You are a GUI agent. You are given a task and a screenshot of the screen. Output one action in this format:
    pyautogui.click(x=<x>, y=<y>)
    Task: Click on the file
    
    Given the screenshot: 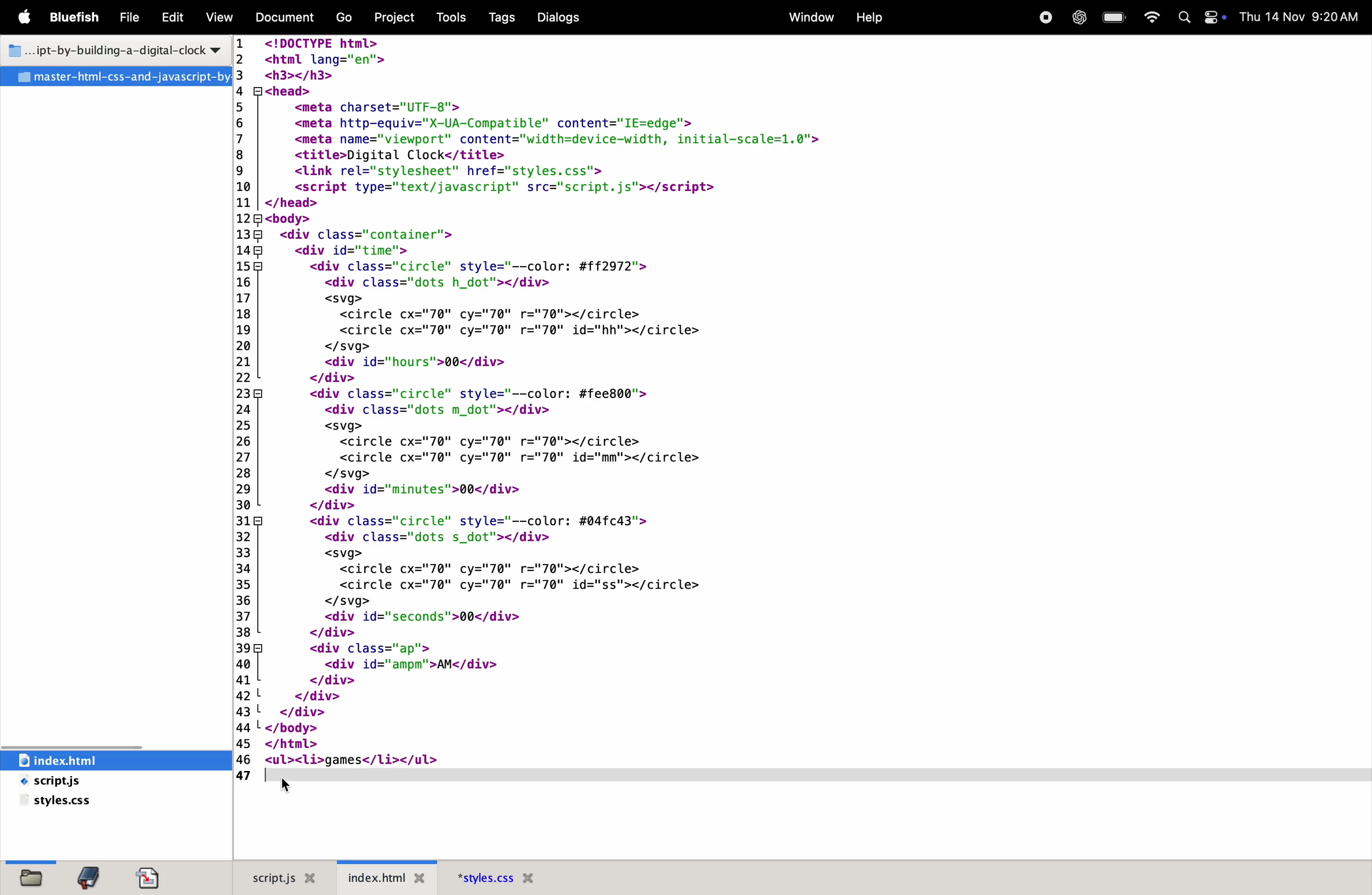 What is the action you would take?
    pyautogui.click(x=28, y=877)
    